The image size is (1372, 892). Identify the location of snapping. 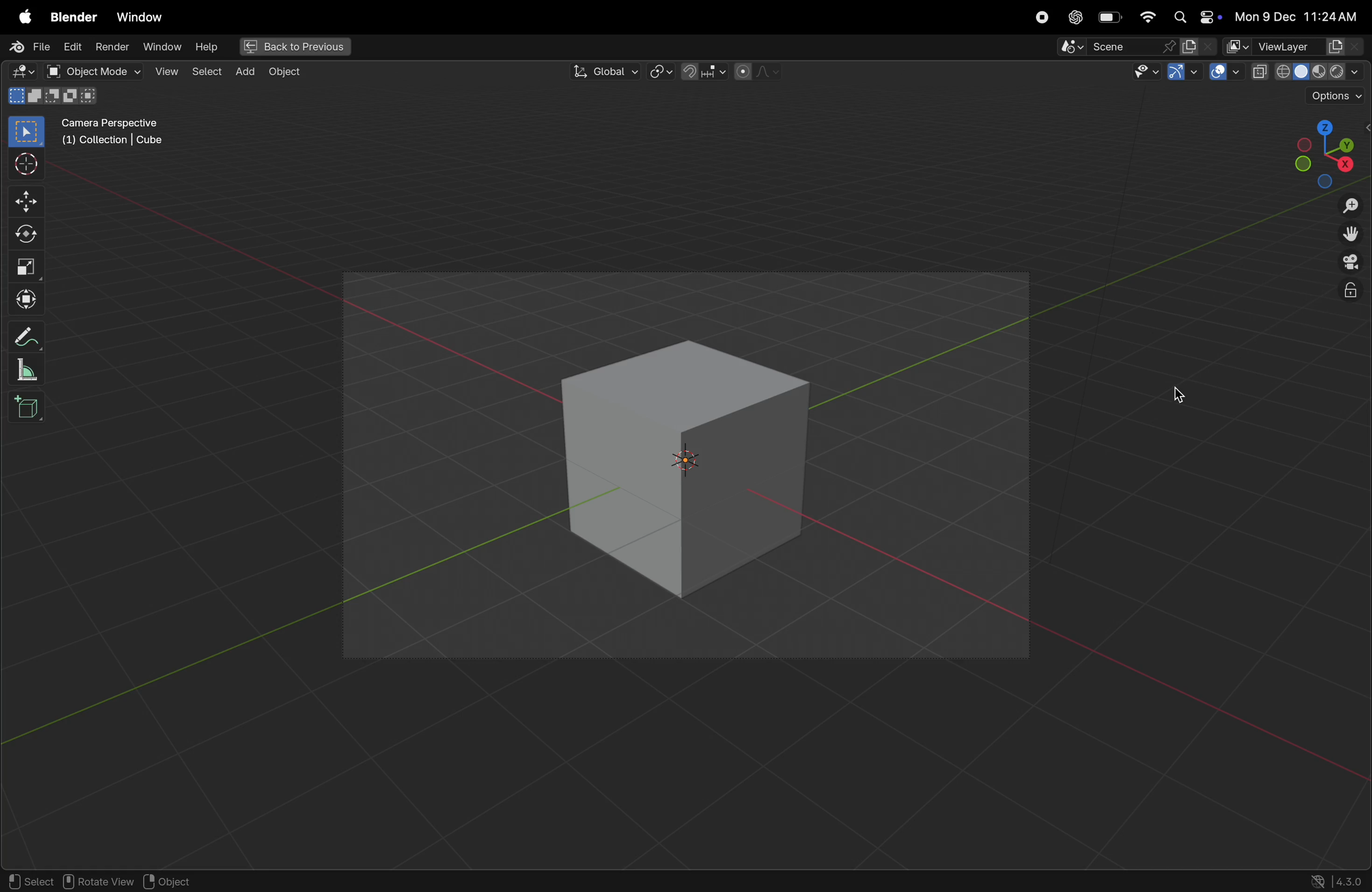
(701, 71).